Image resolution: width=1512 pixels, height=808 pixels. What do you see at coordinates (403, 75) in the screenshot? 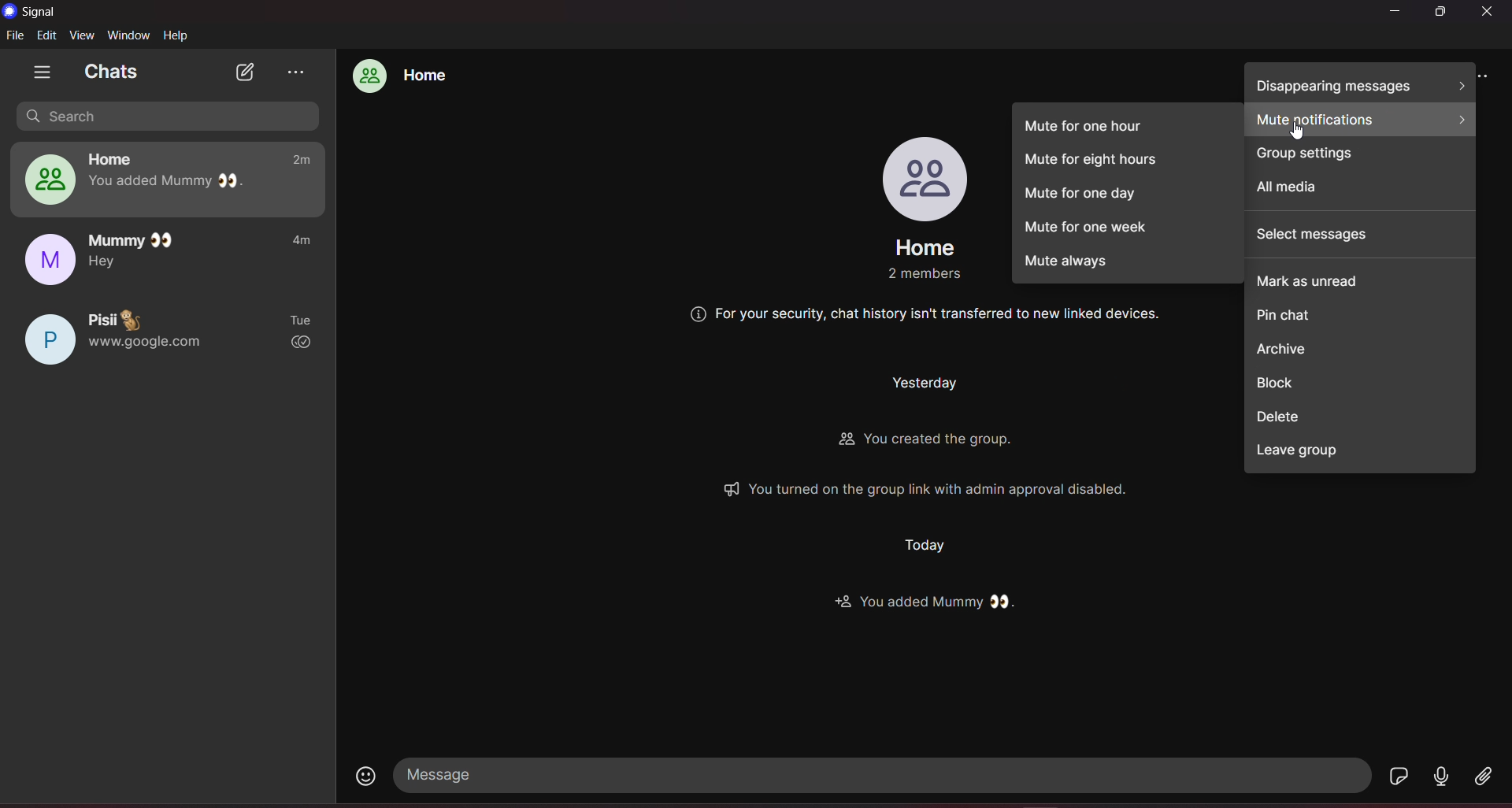
I see `home group chat` at bounding box center [403, 75].